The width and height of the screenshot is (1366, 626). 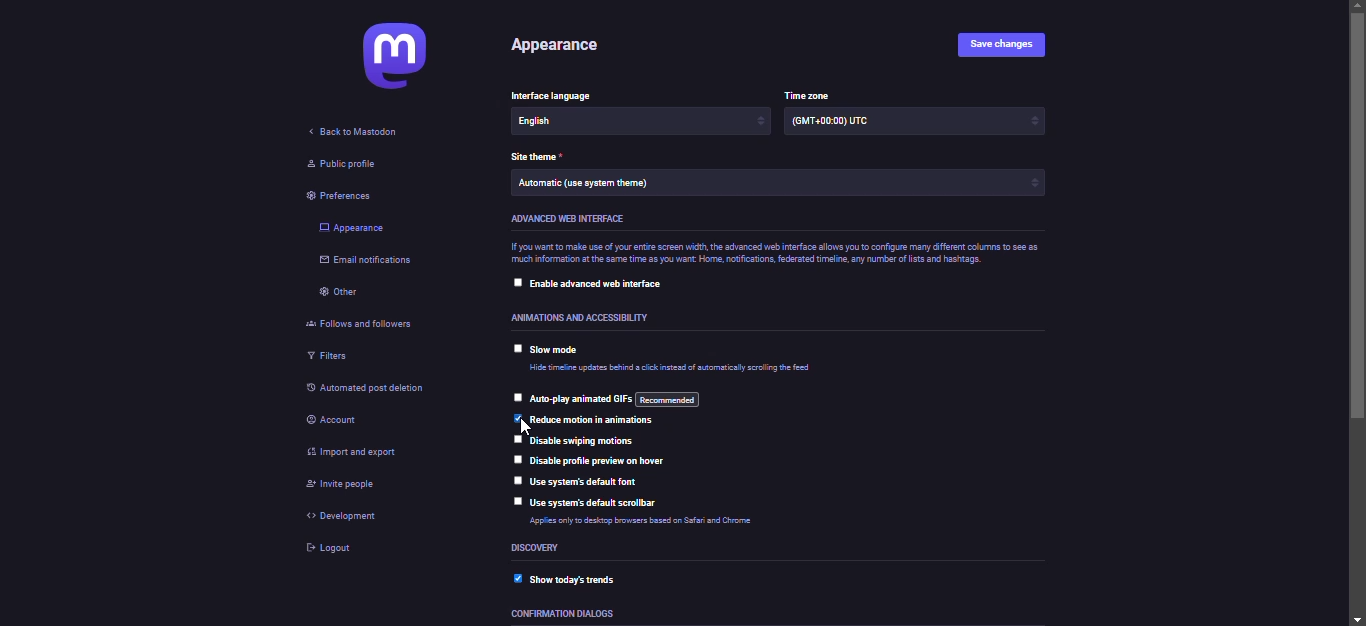 What do you see at coordinates (542, 548) in the screenshot?
I see `discovery` at bounding box center [542, 548].